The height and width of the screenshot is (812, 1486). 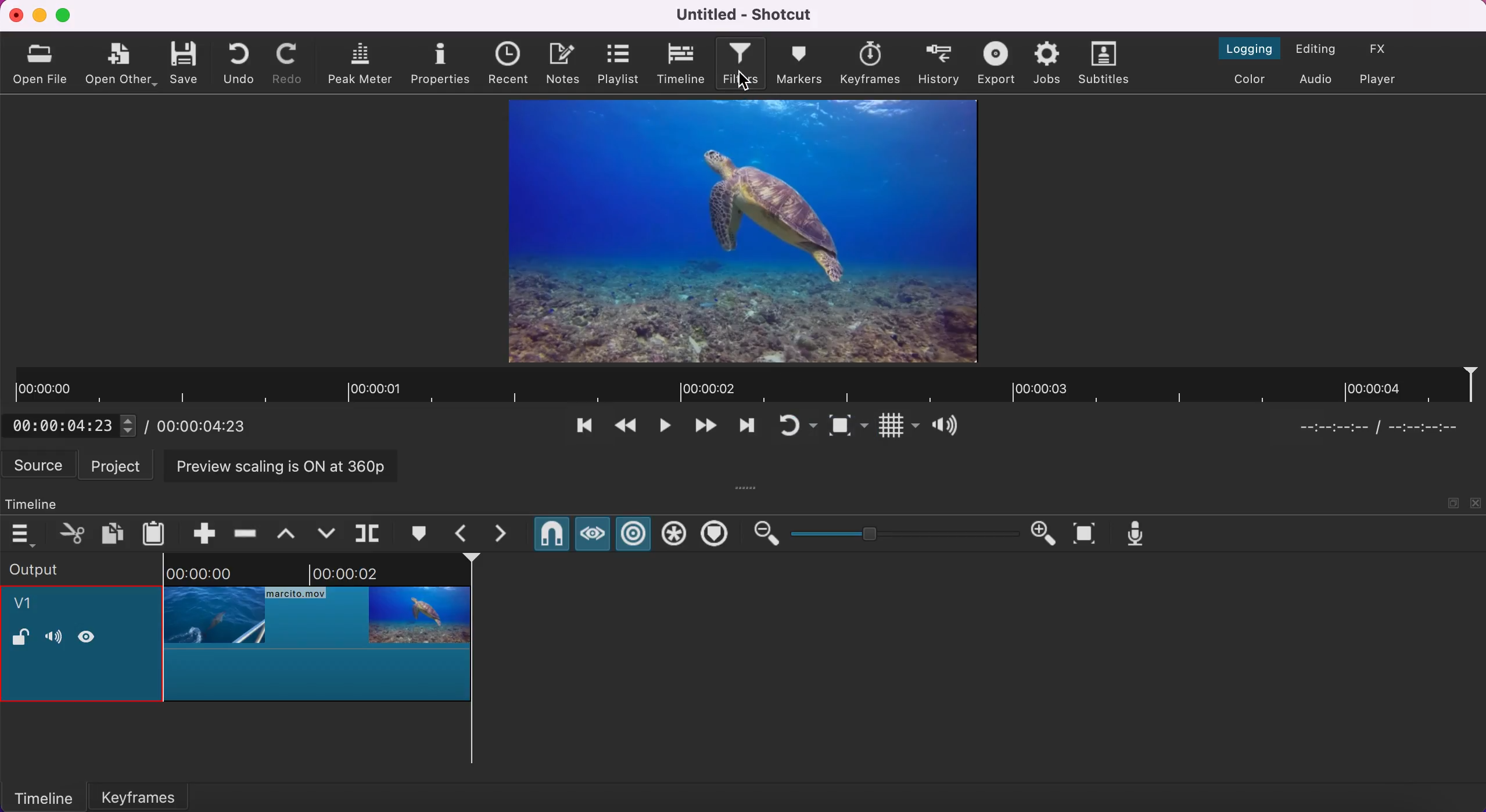 I want to click on lift, so click(x=291, y=533).